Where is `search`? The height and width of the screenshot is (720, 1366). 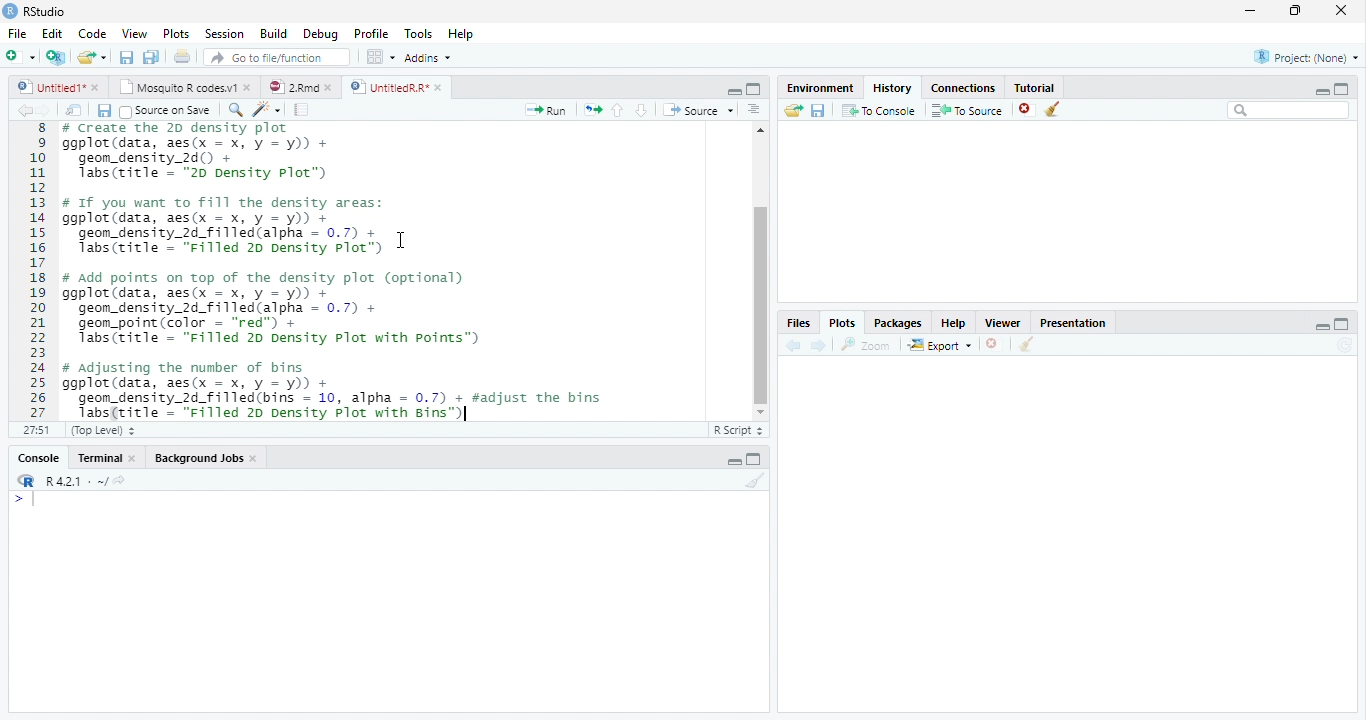 search is located at coordinates (232, 109).